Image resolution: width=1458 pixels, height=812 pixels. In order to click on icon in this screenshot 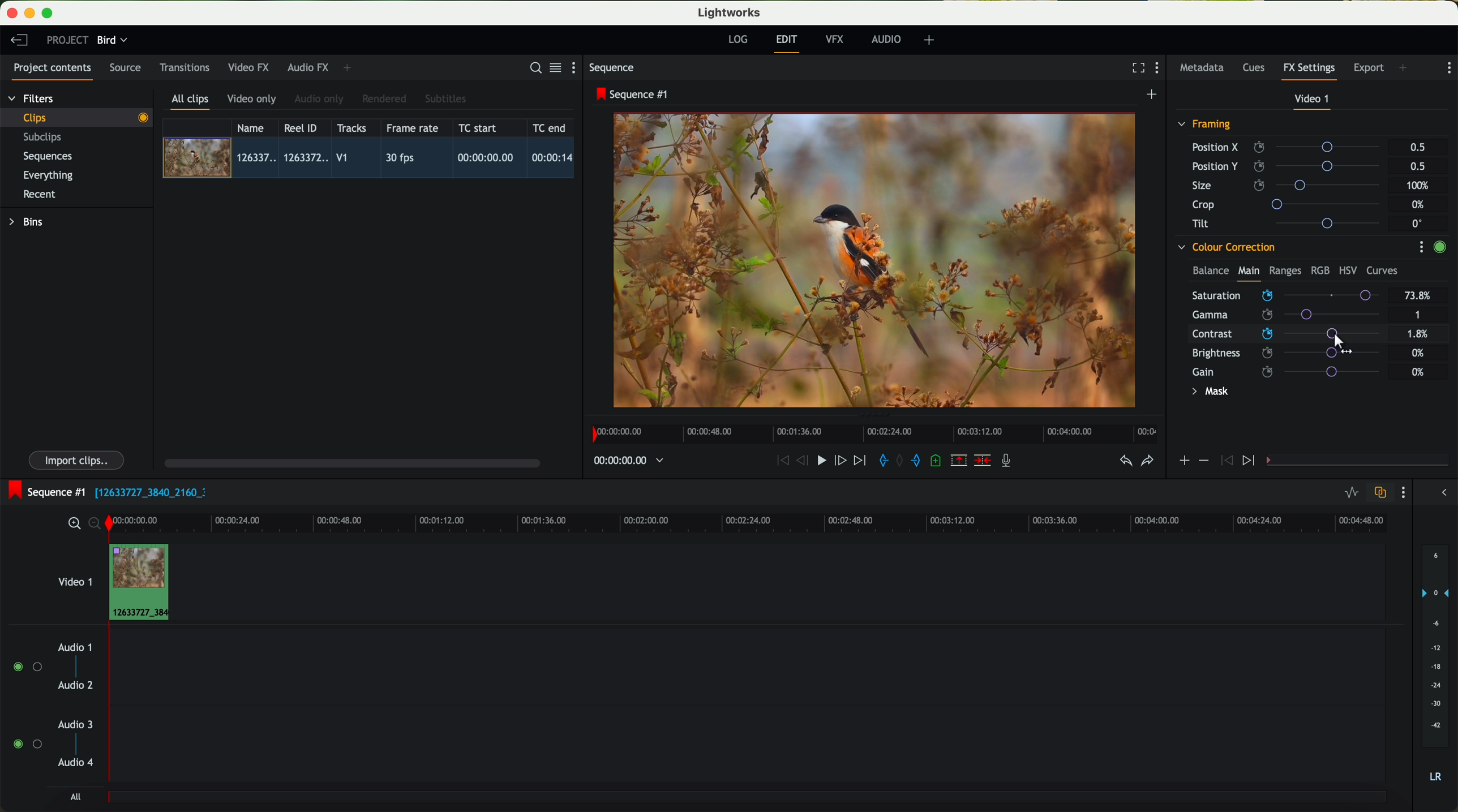, I will do `click(1250, 461)`.